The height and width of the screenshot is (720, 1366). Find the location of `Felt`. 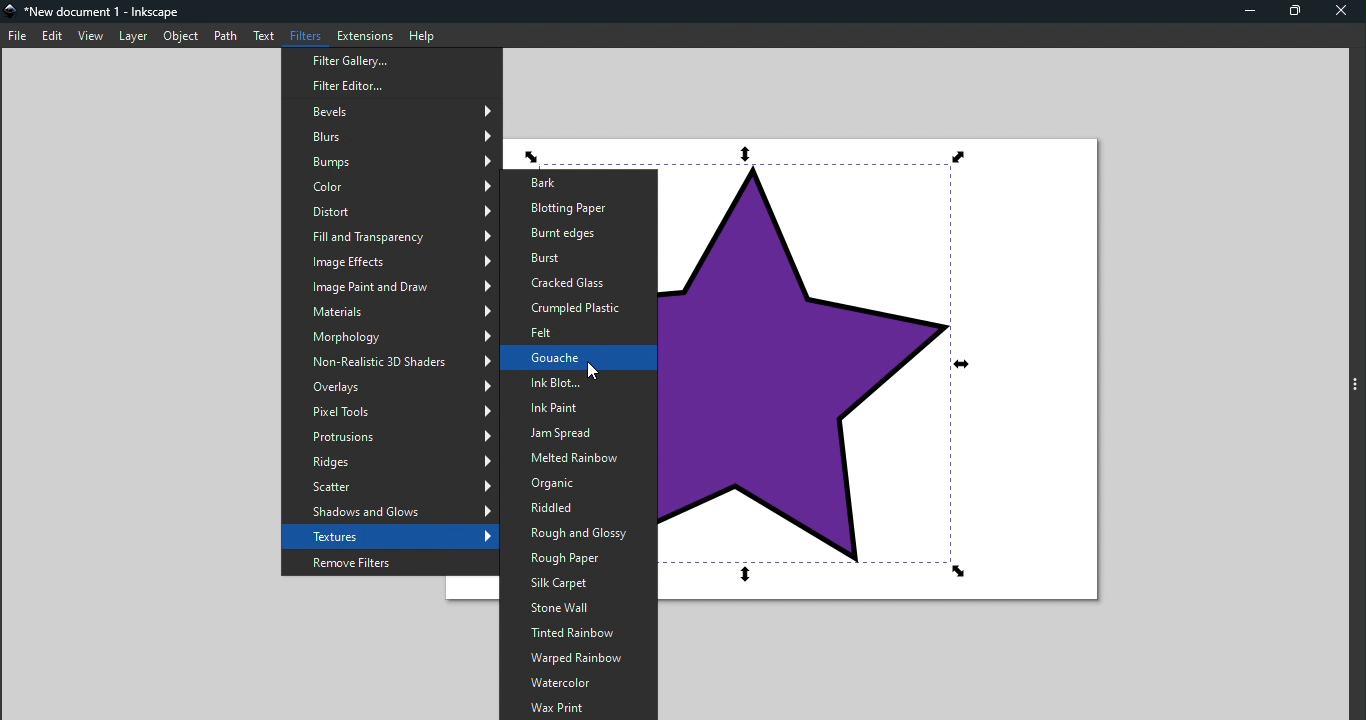

Felt is located at coordinates (579, 334).